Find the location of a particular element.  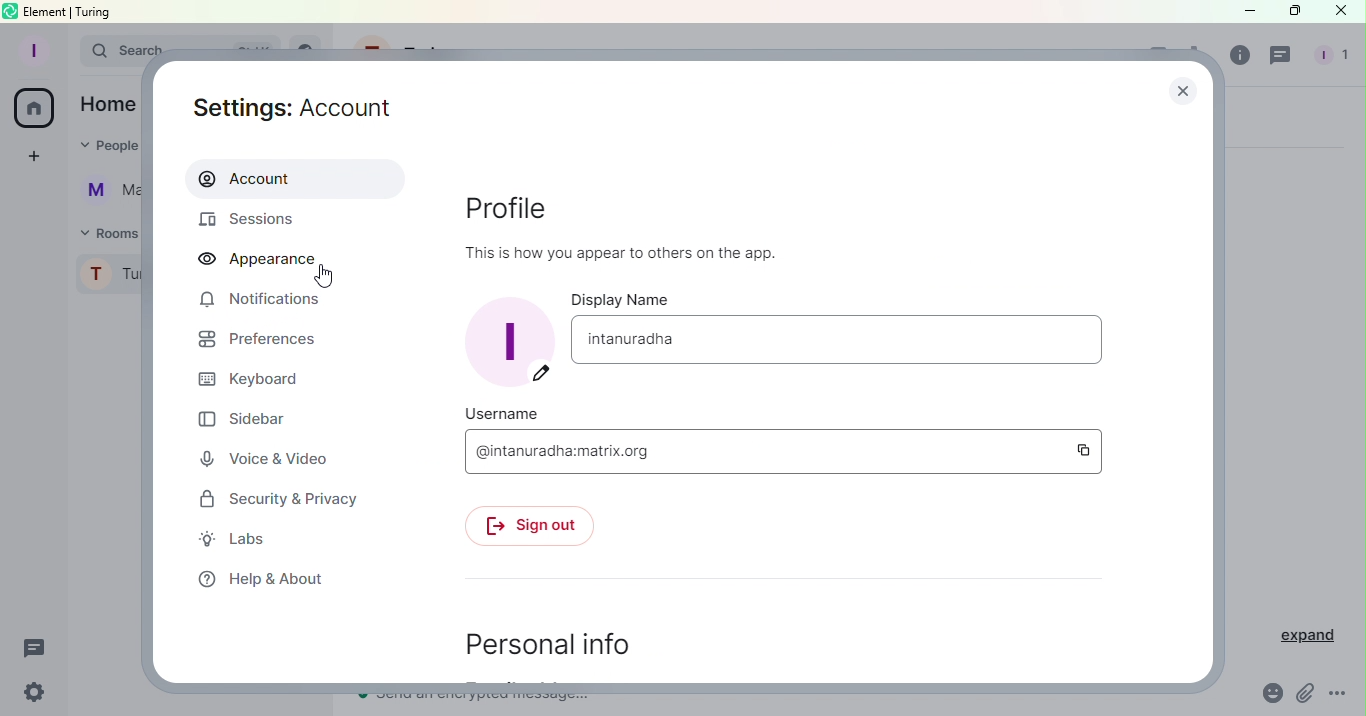

Settings is located at coordinates (35, 690).